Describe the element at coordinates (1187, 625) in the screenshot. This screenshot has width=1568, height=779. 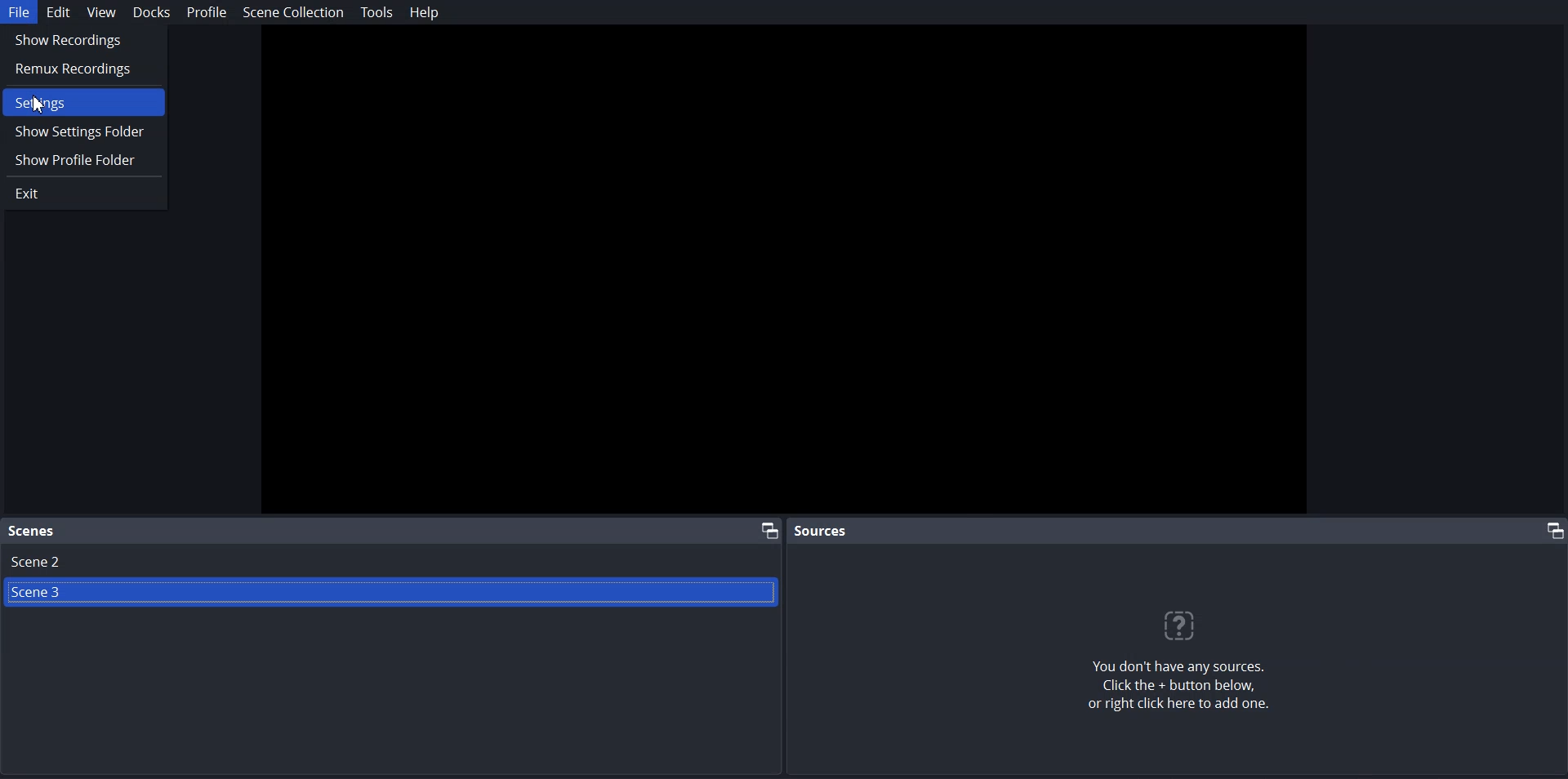
I see `visual element` at that location.